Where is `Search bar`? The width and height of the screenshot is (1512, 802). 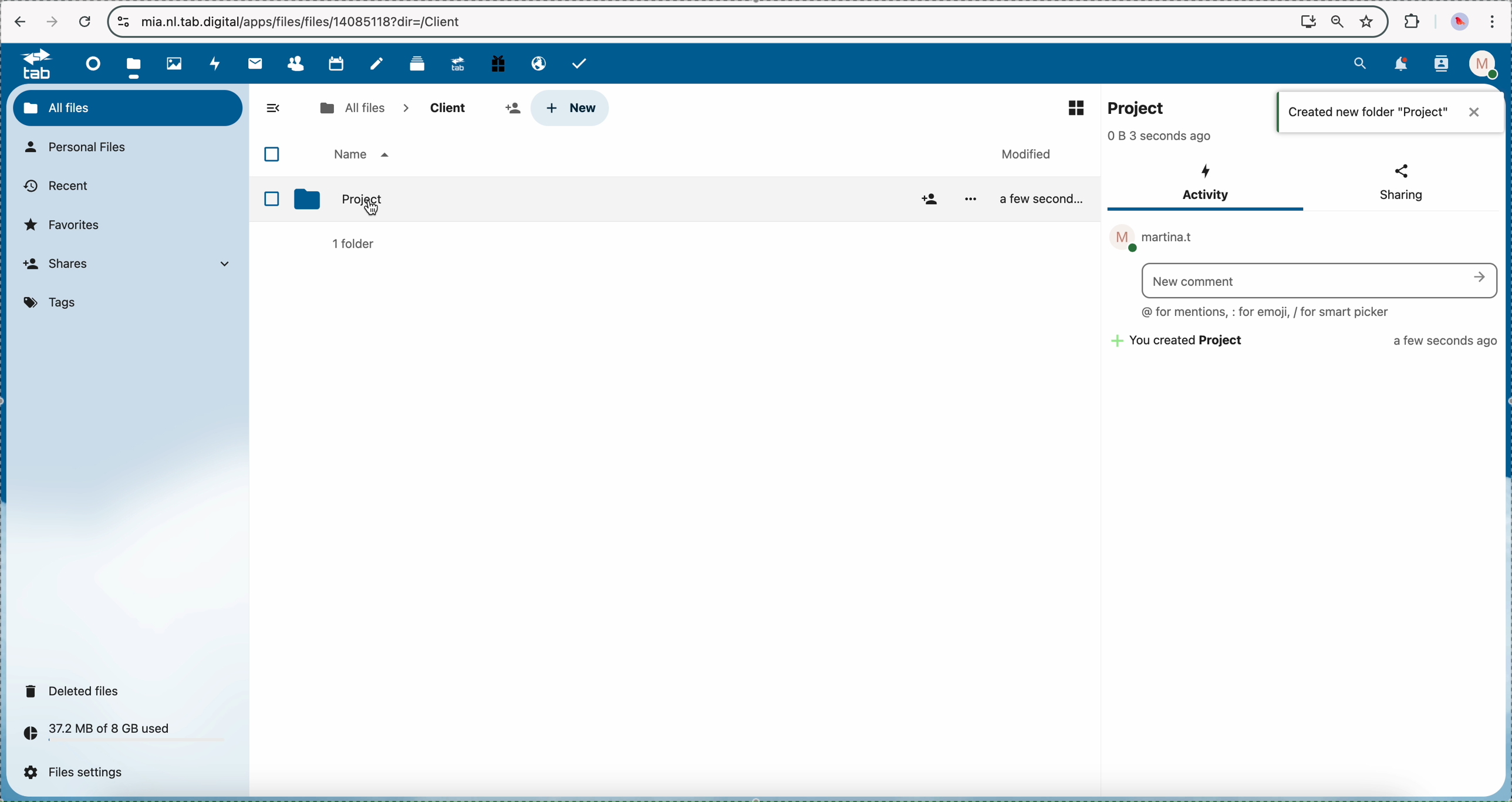 Search bar is located at coordinates (1320, 279).